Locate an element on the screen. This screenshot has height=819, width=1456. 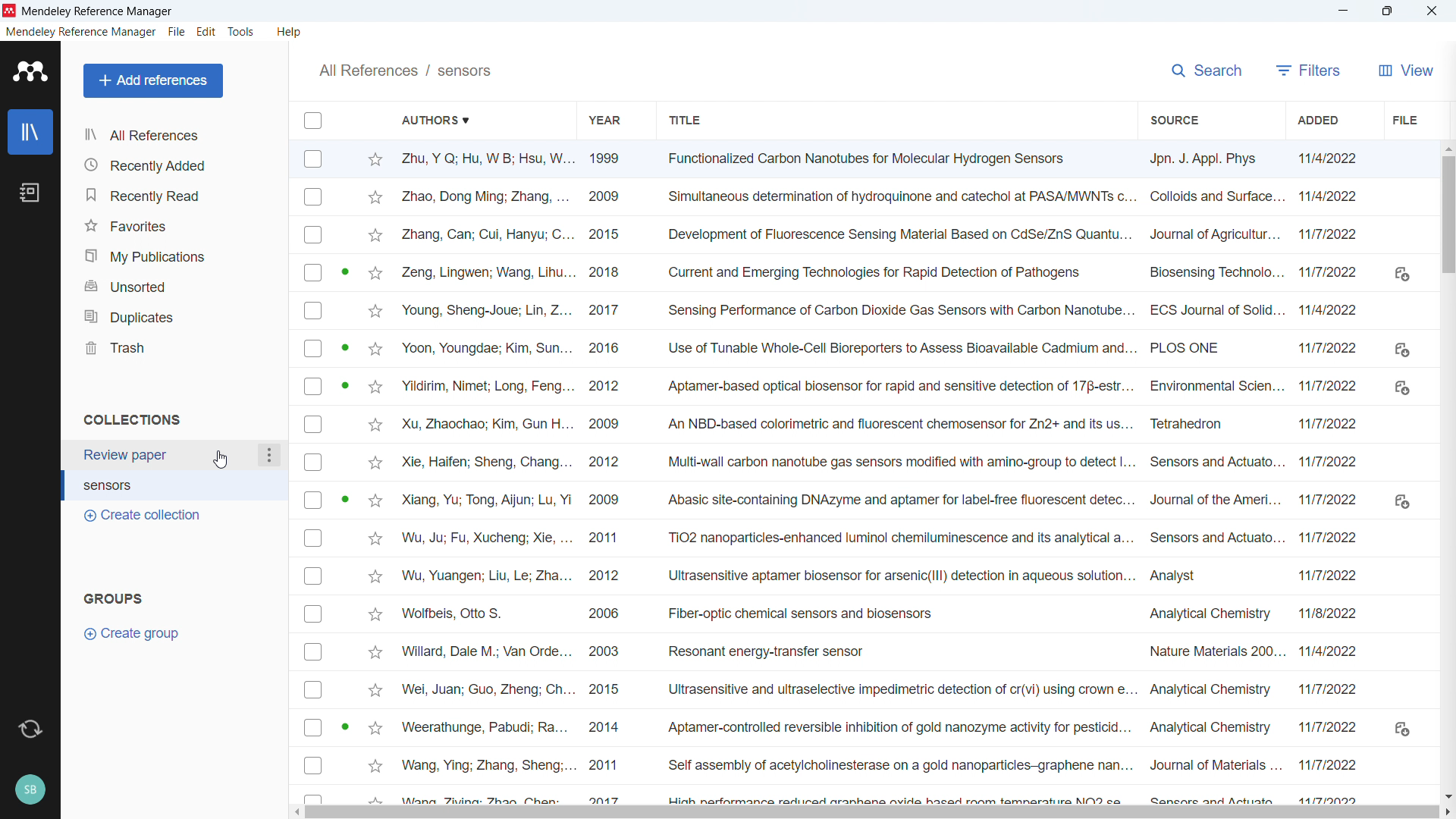
Maximise  is located at coordinates (1386, 11).